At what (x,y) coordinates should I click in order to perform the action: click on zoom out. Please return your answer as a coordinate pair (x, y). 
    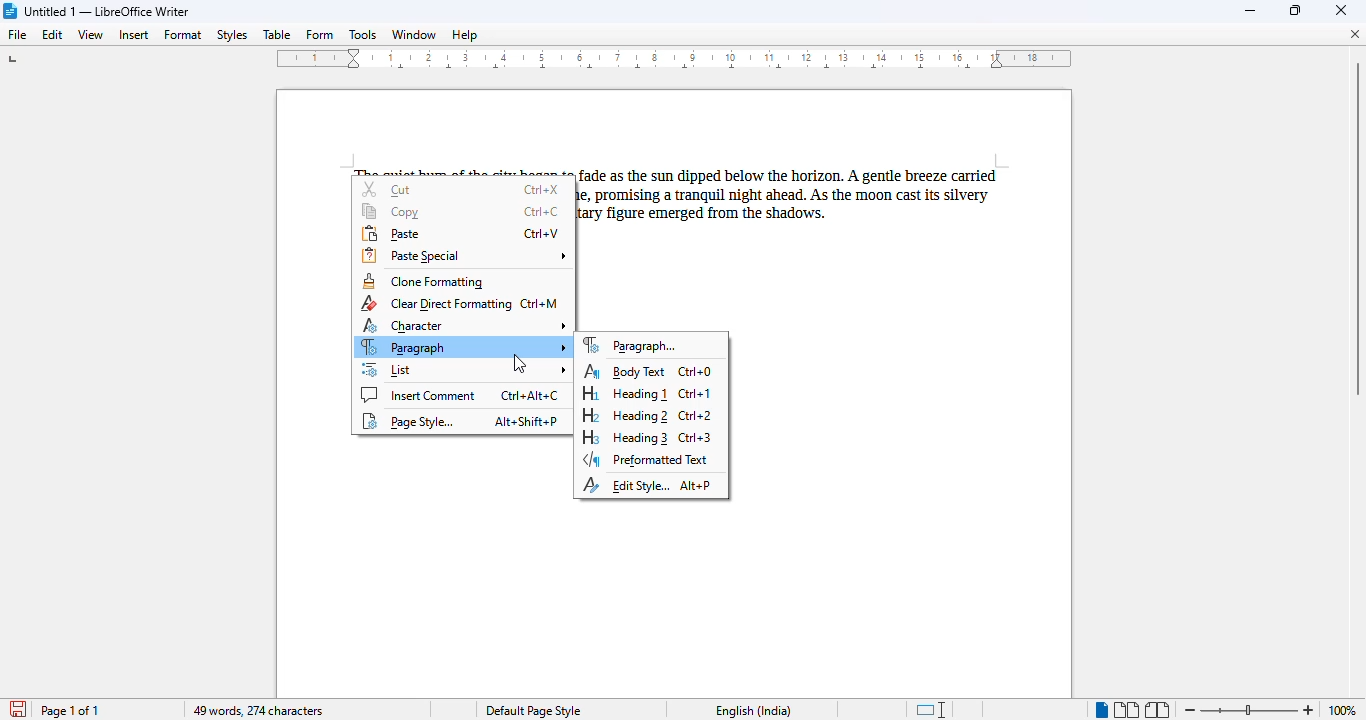
    Looking at the image, I should click on (1192, 710).